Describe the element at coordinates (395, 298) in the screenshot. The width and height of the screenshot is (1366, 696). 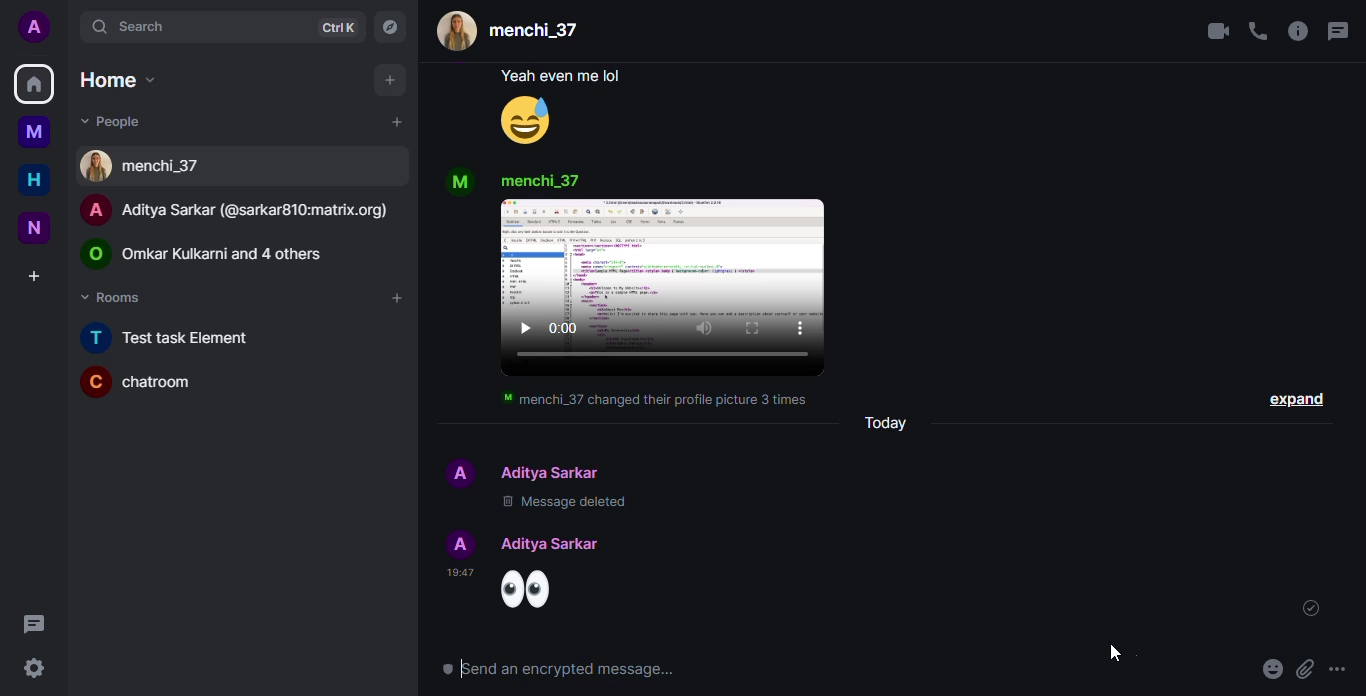
I see `add` at that location.